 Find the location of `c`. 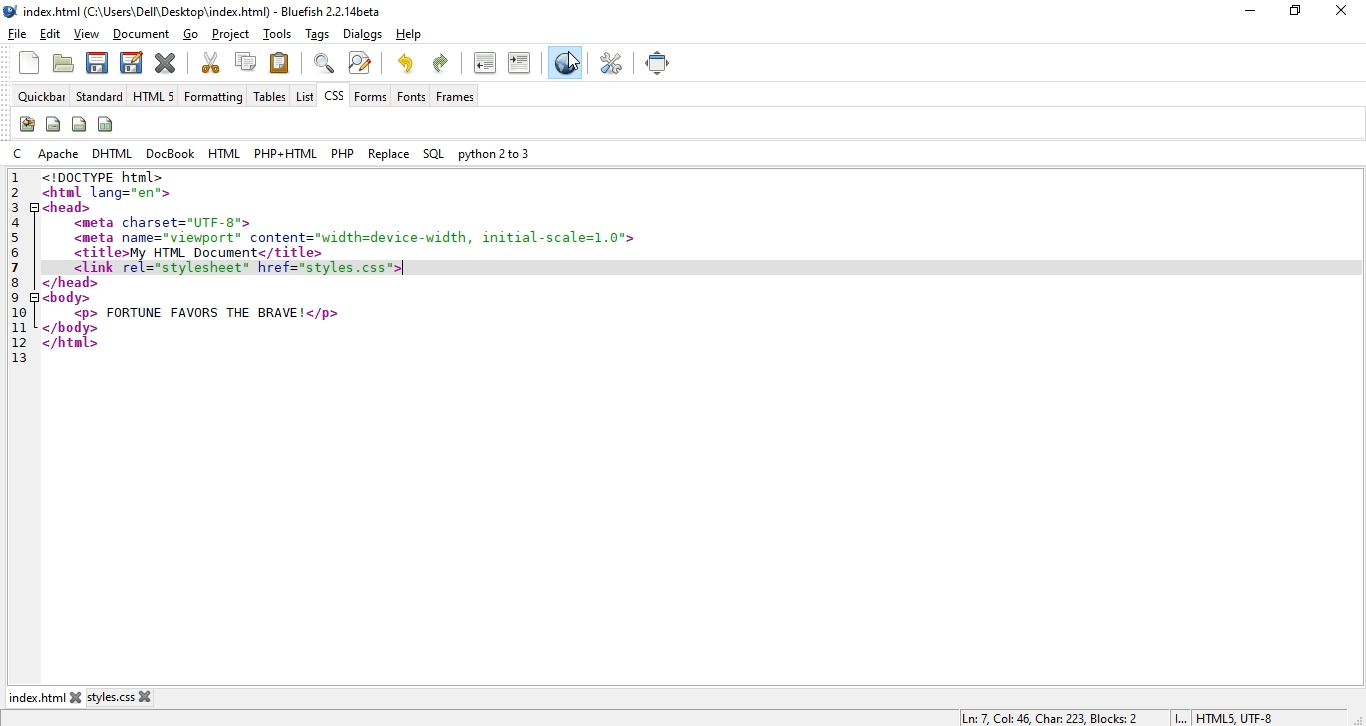

c is located at coordinates (21, 153).